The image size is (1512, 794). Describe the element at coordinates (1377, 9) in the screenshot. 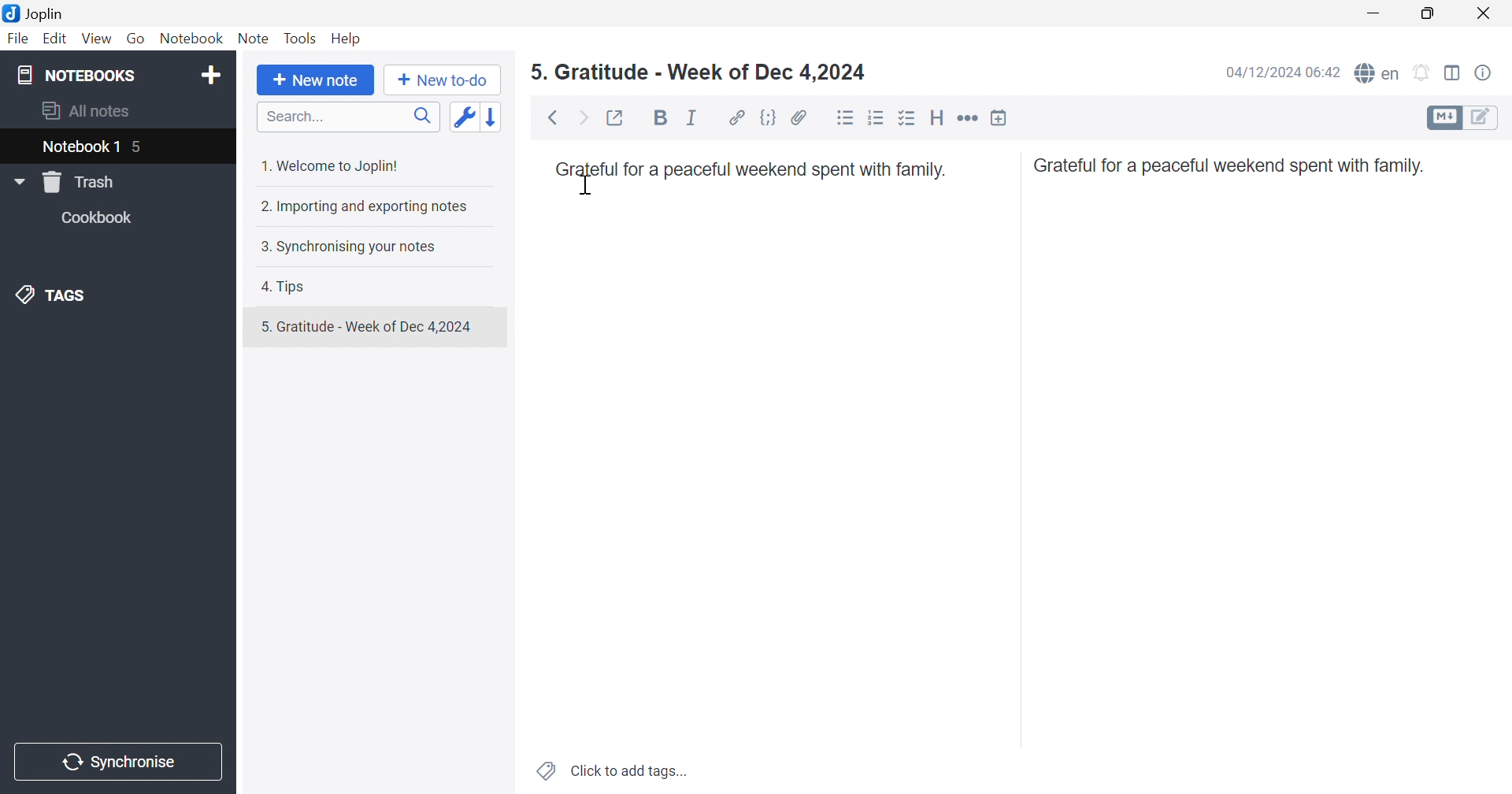

I see `Minimize` at that location.